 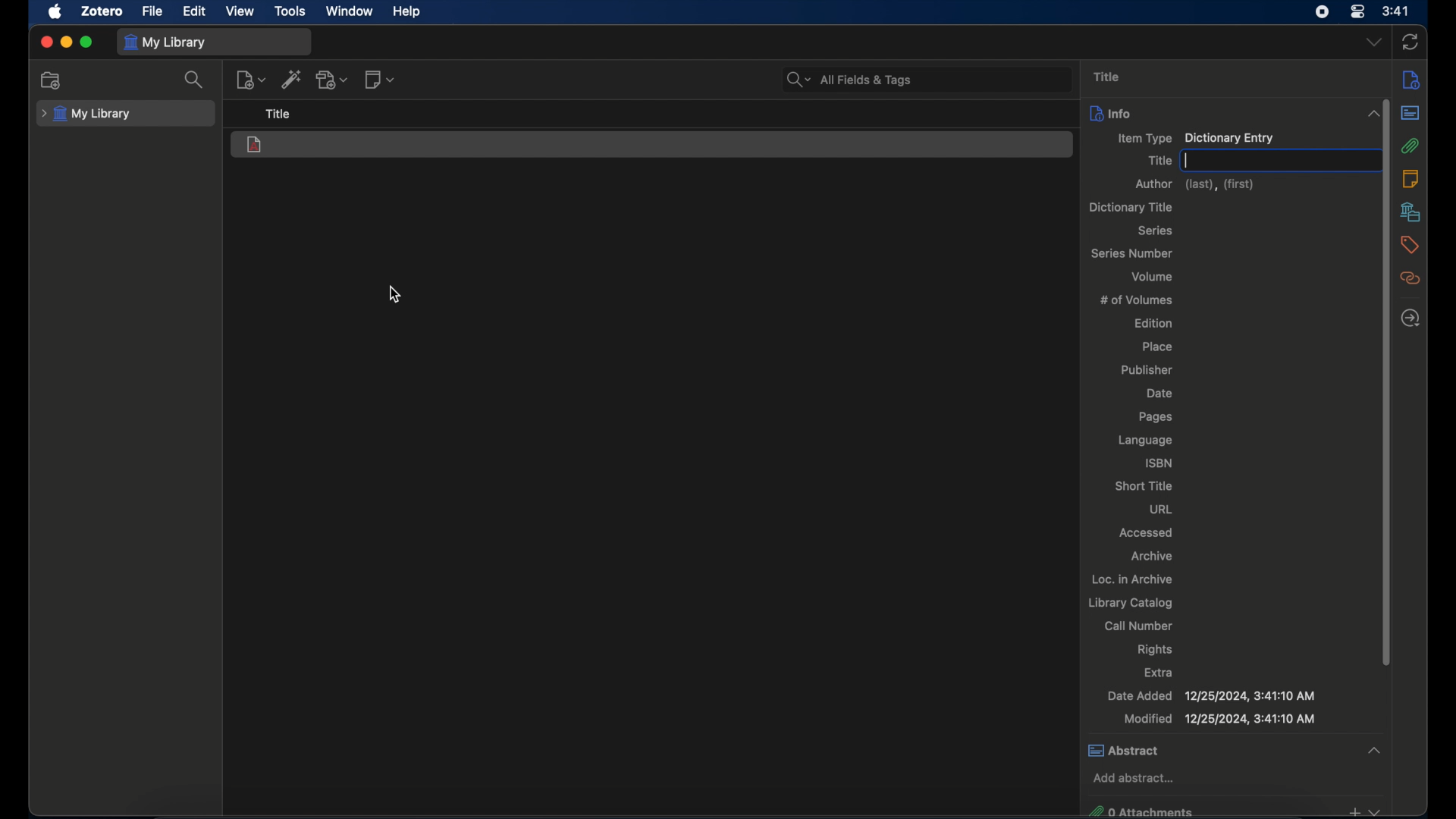 What do you see at coordinates (1153, 557) in the screenshot?
I see `archive` at bounding box center [1153, 557].